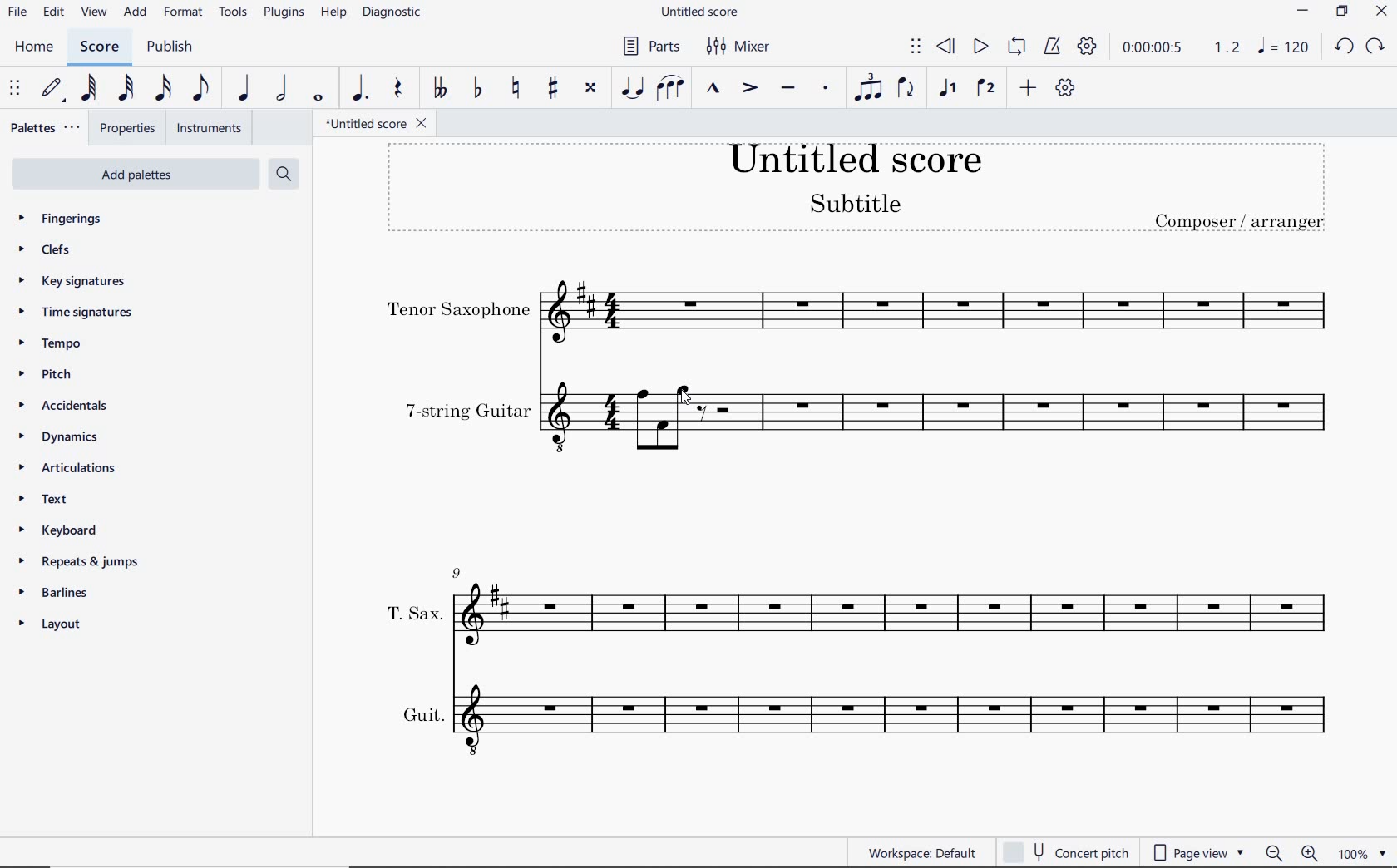 The image size is (1397, 868). What do you see at coordinates (1344, 12) in the screenshot?
I see `RESTORE DOWN` at bounding box center [1344, 12].